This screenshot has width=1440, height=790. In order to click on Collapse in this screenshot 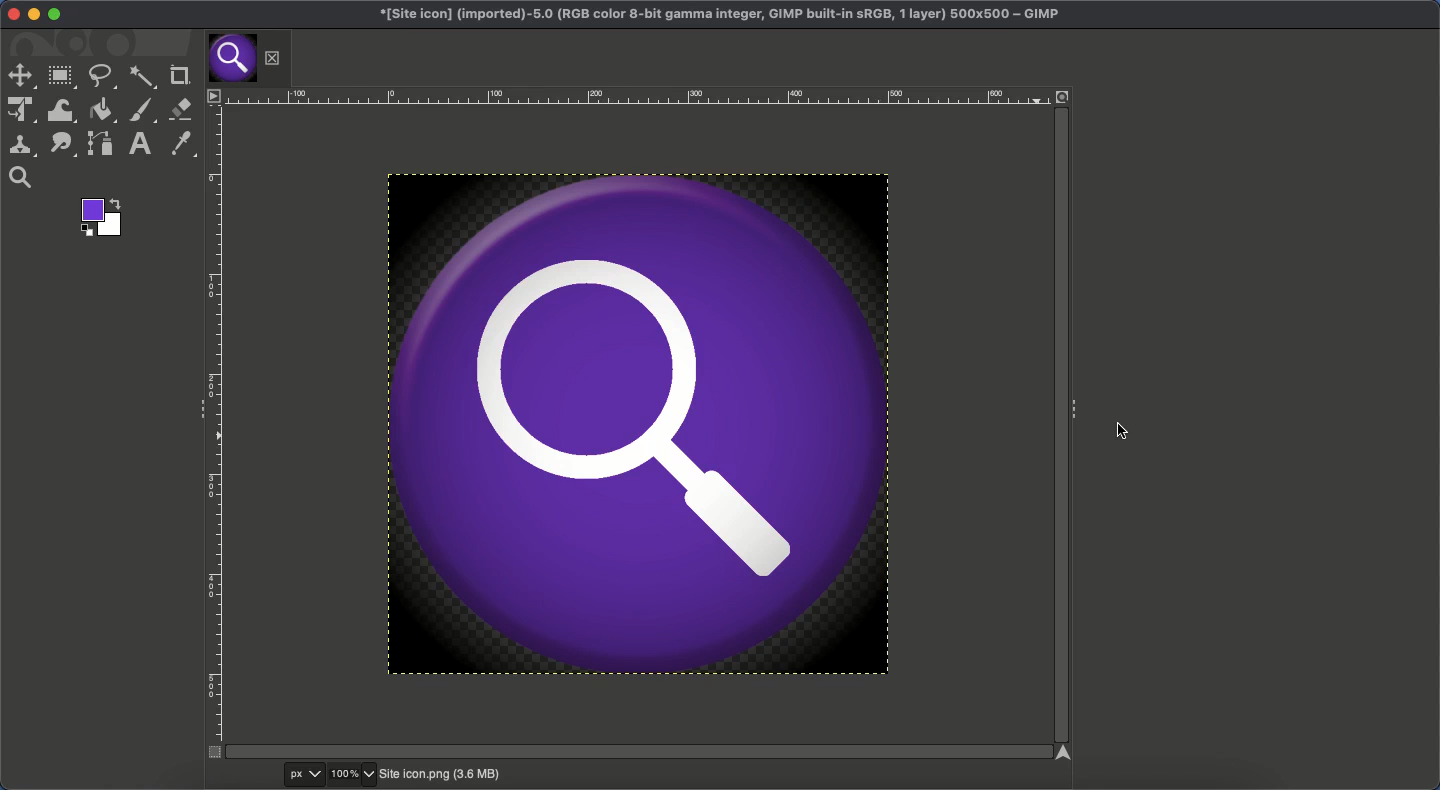, I will do `click(1077, 406)`.